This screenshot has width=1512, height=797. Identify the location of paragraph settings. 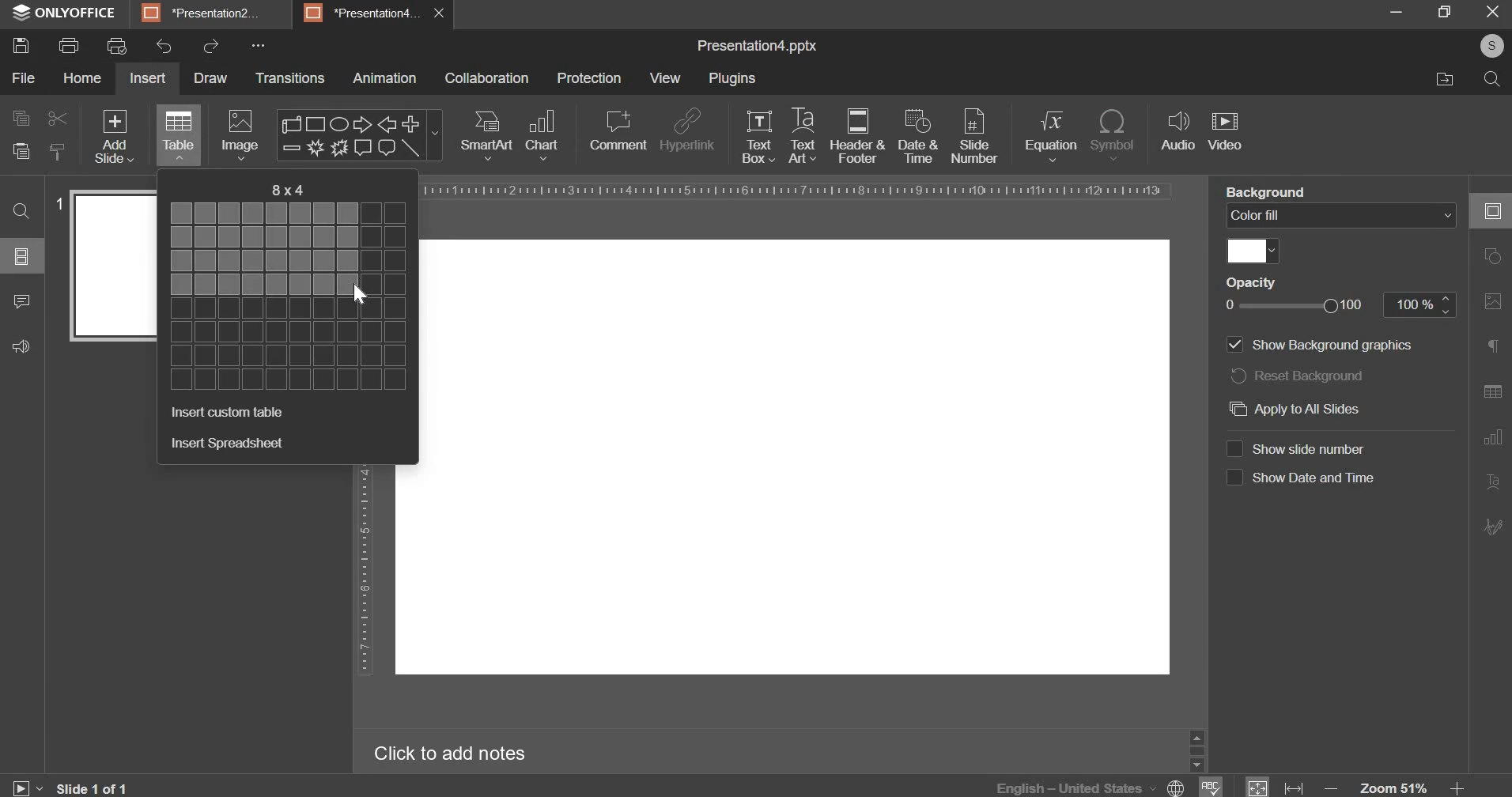
(1498, 345).